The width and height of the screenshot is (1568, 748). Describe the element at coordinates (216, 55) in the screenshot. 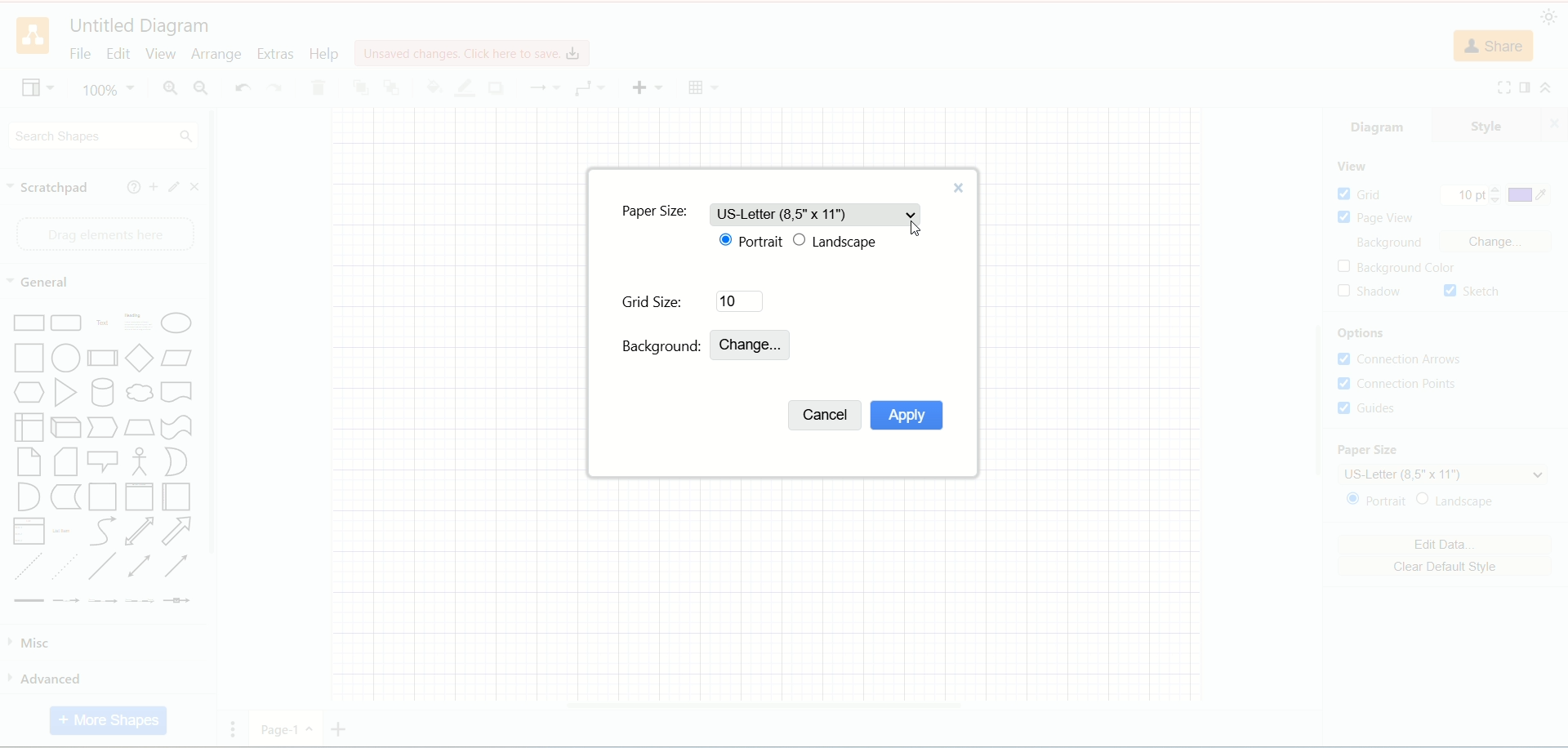

I see `arrange` at that location.